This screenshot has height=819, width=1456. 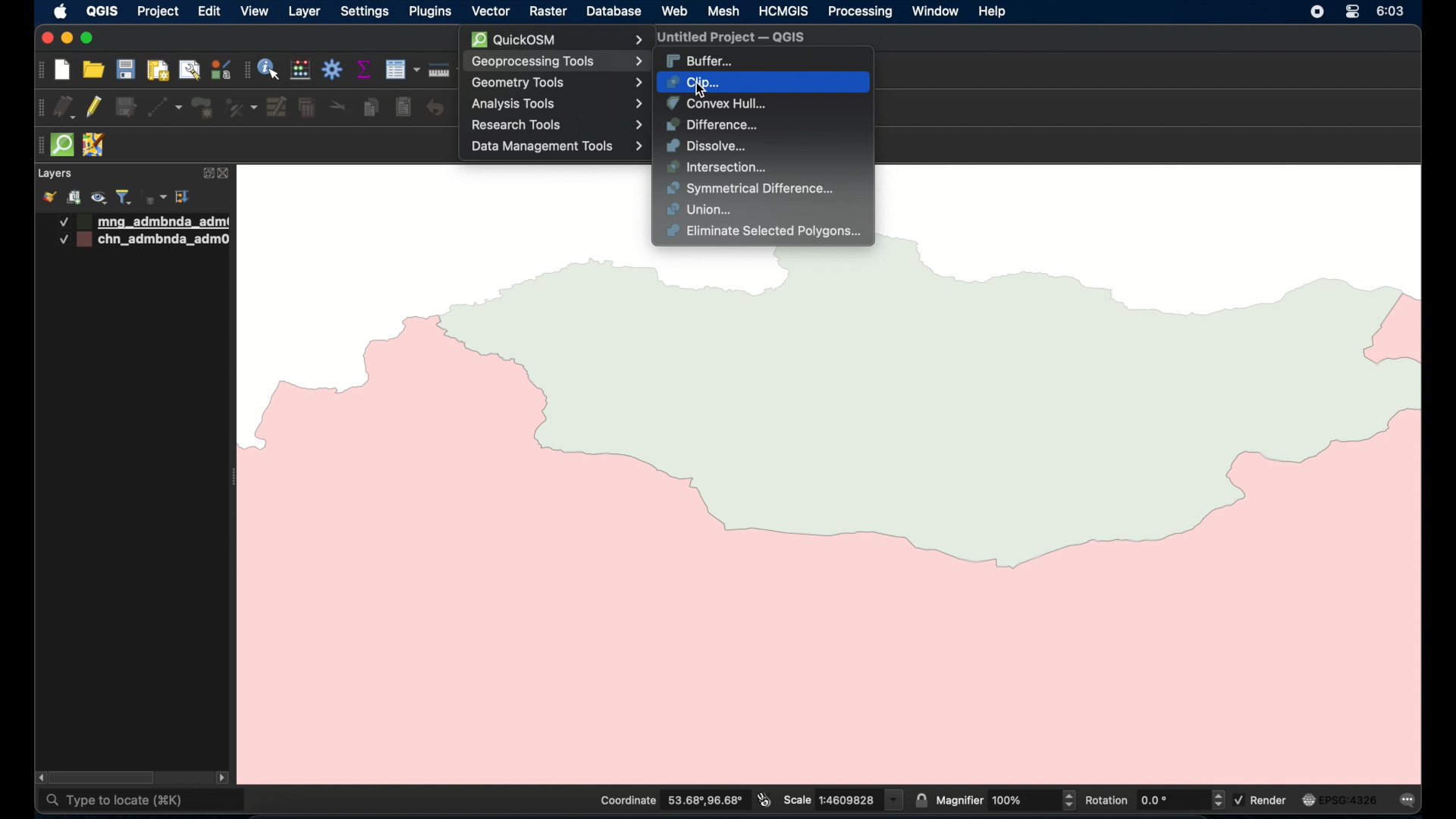 I want to click on digitize with segment, so click(x=165, y=108).